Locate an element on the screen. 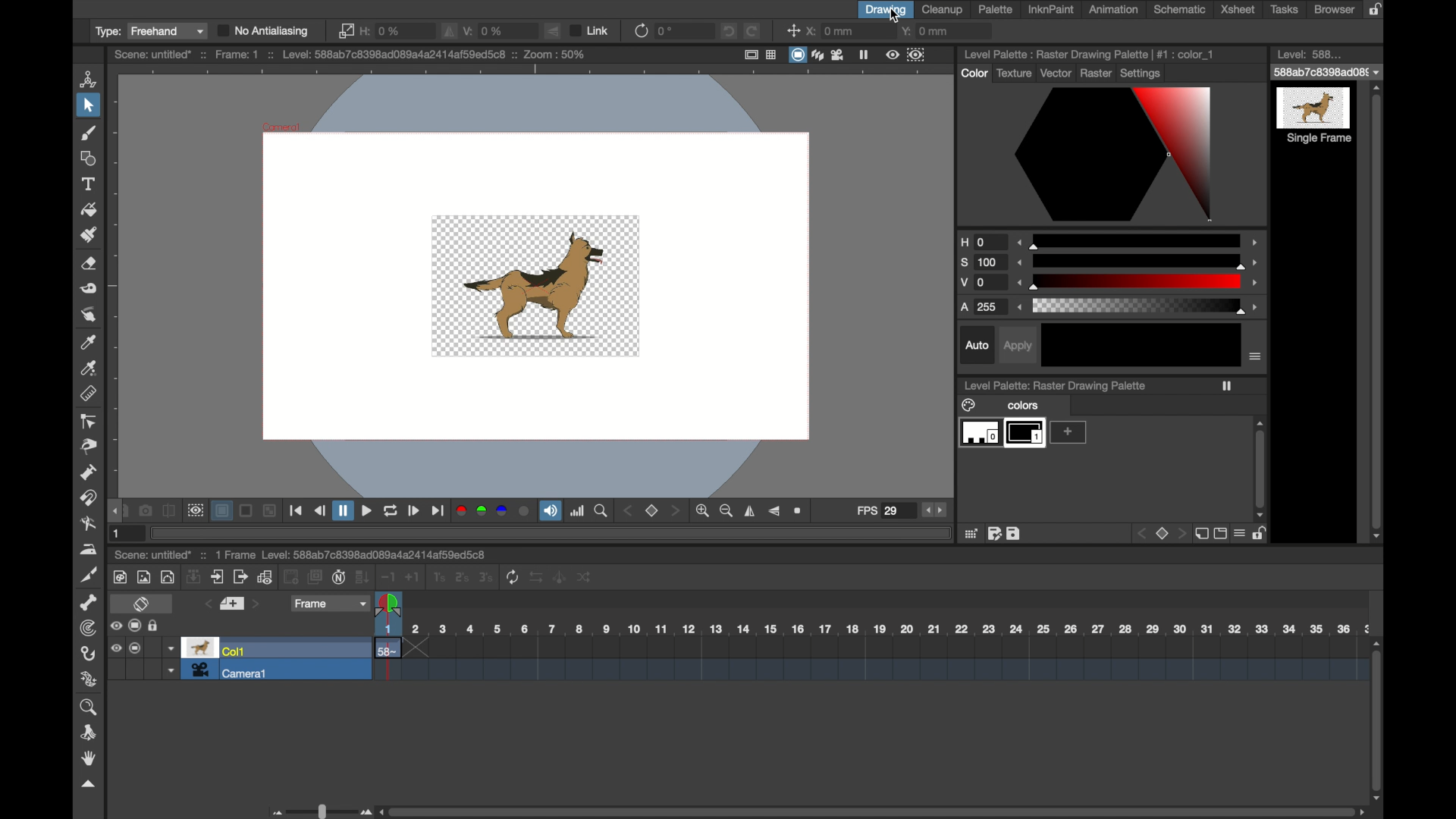 The height and width of the screenshot is (819, 1456). pause is located at coordinates (1237, 384).